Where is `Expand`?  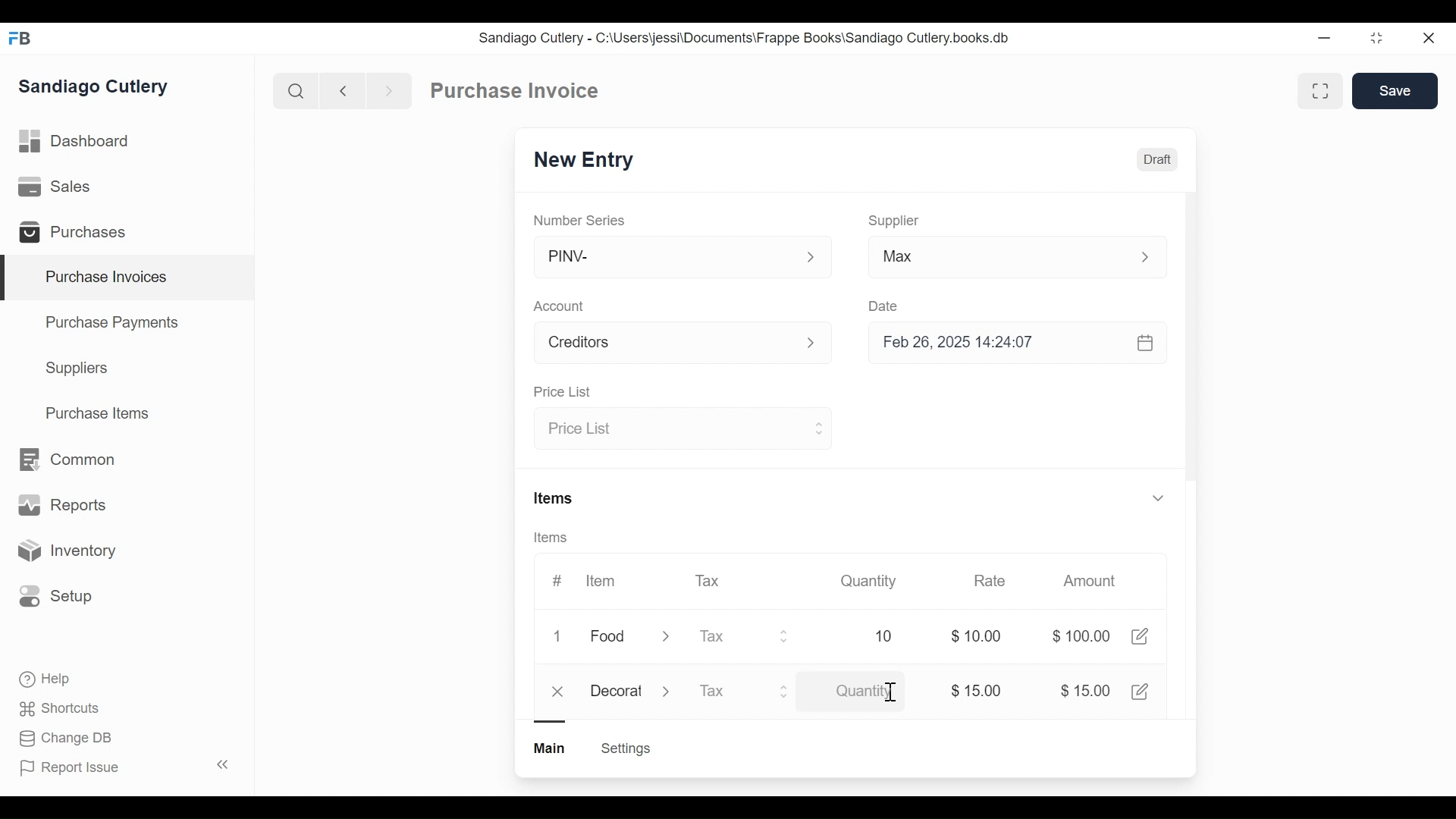
Expand is located at coordinates (811, 258).